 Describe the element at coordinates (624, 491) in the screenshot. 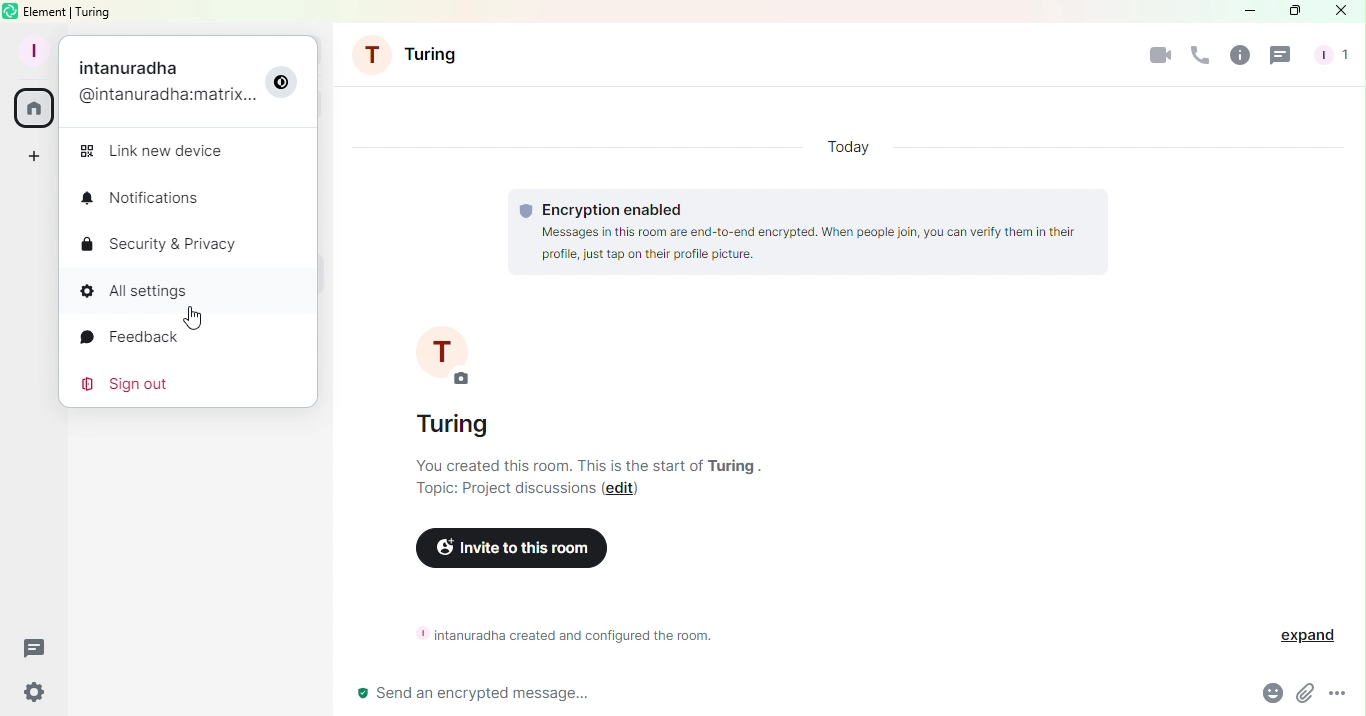

I see `Edit` at that location.